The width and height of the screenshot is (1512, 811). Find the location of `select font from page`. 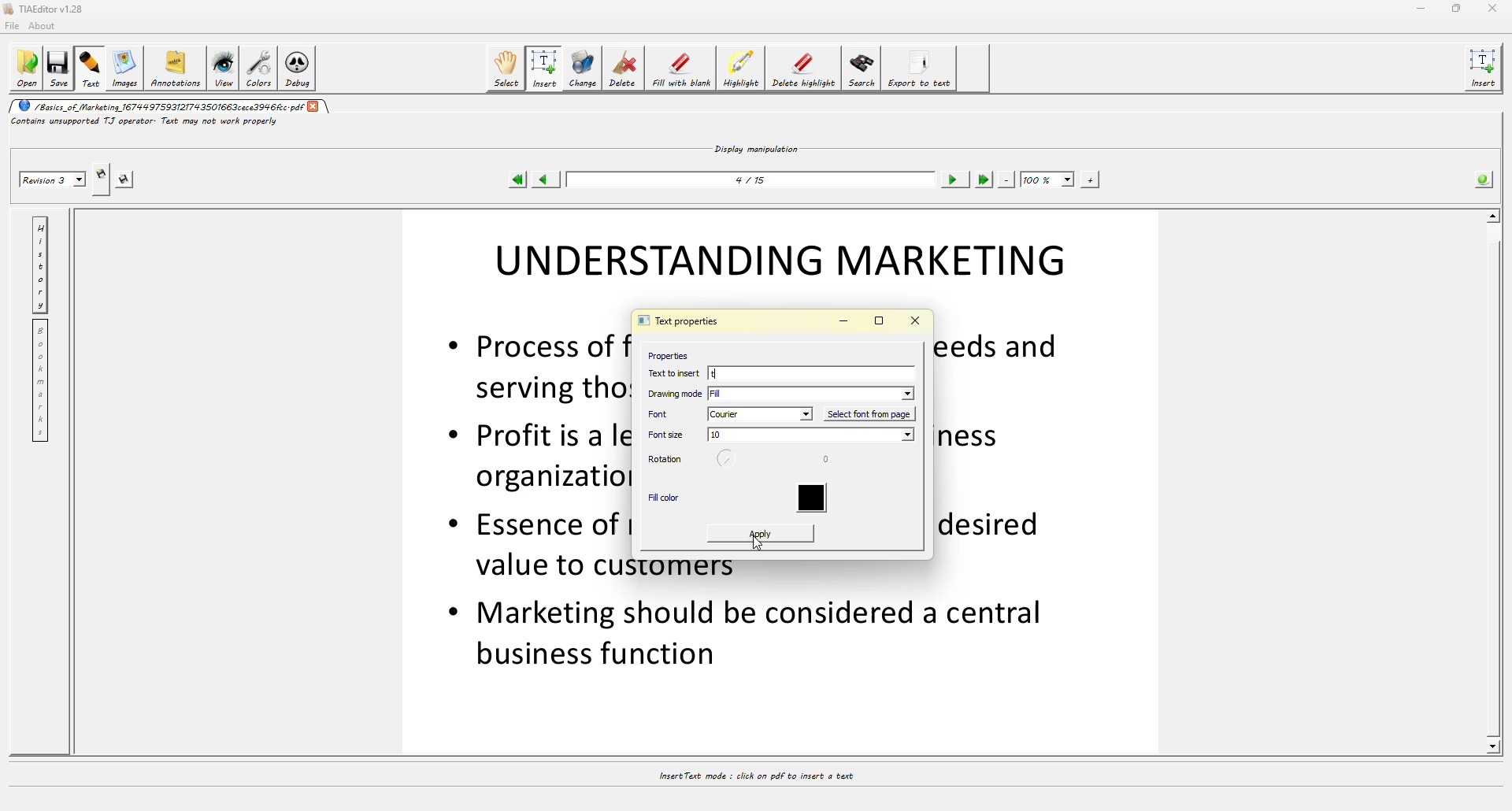

select font from page is located at coordinates (872, 413).